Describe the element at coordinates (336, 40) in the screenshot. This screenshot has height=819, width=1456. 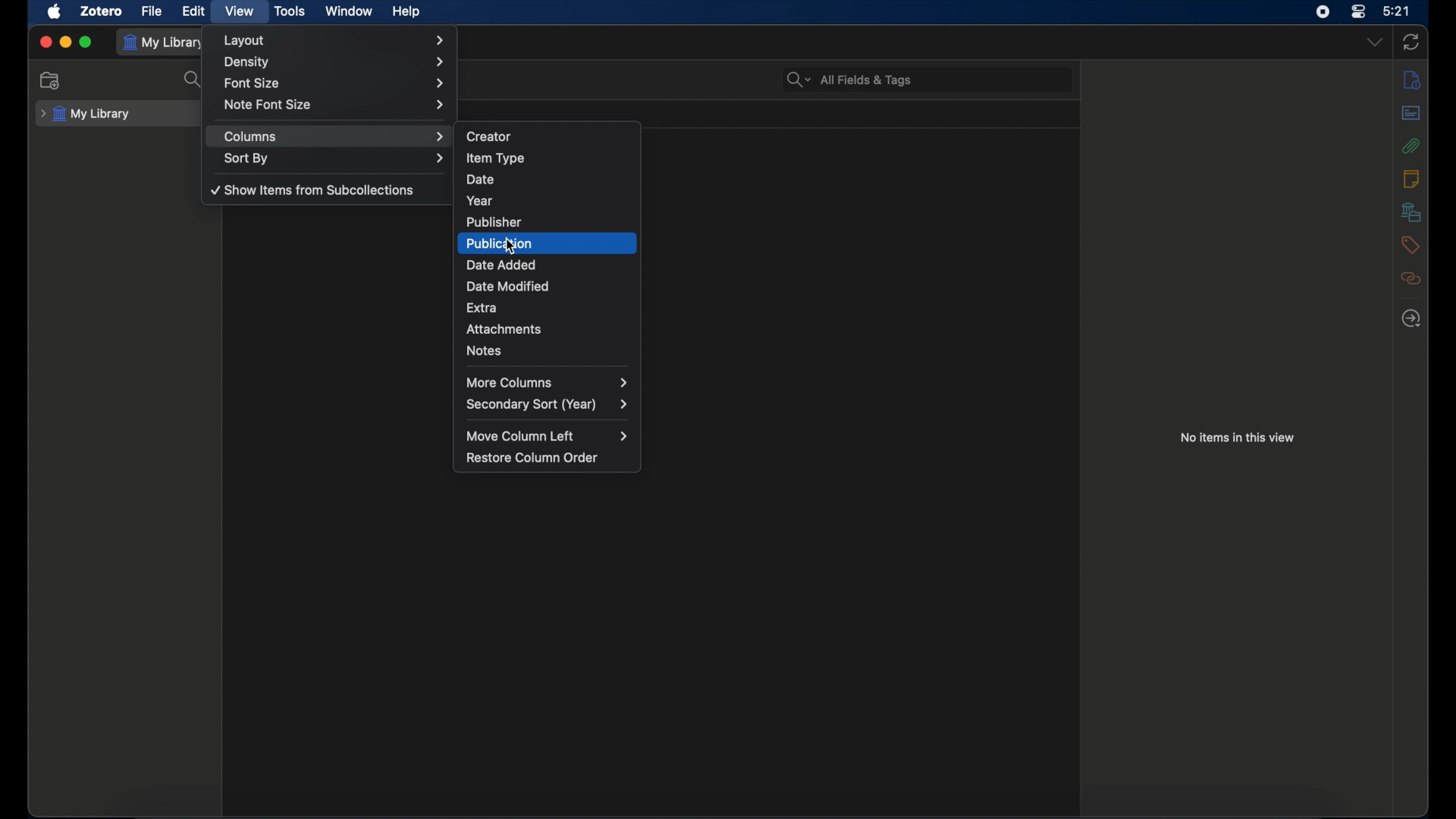
I see `layout` at that location.